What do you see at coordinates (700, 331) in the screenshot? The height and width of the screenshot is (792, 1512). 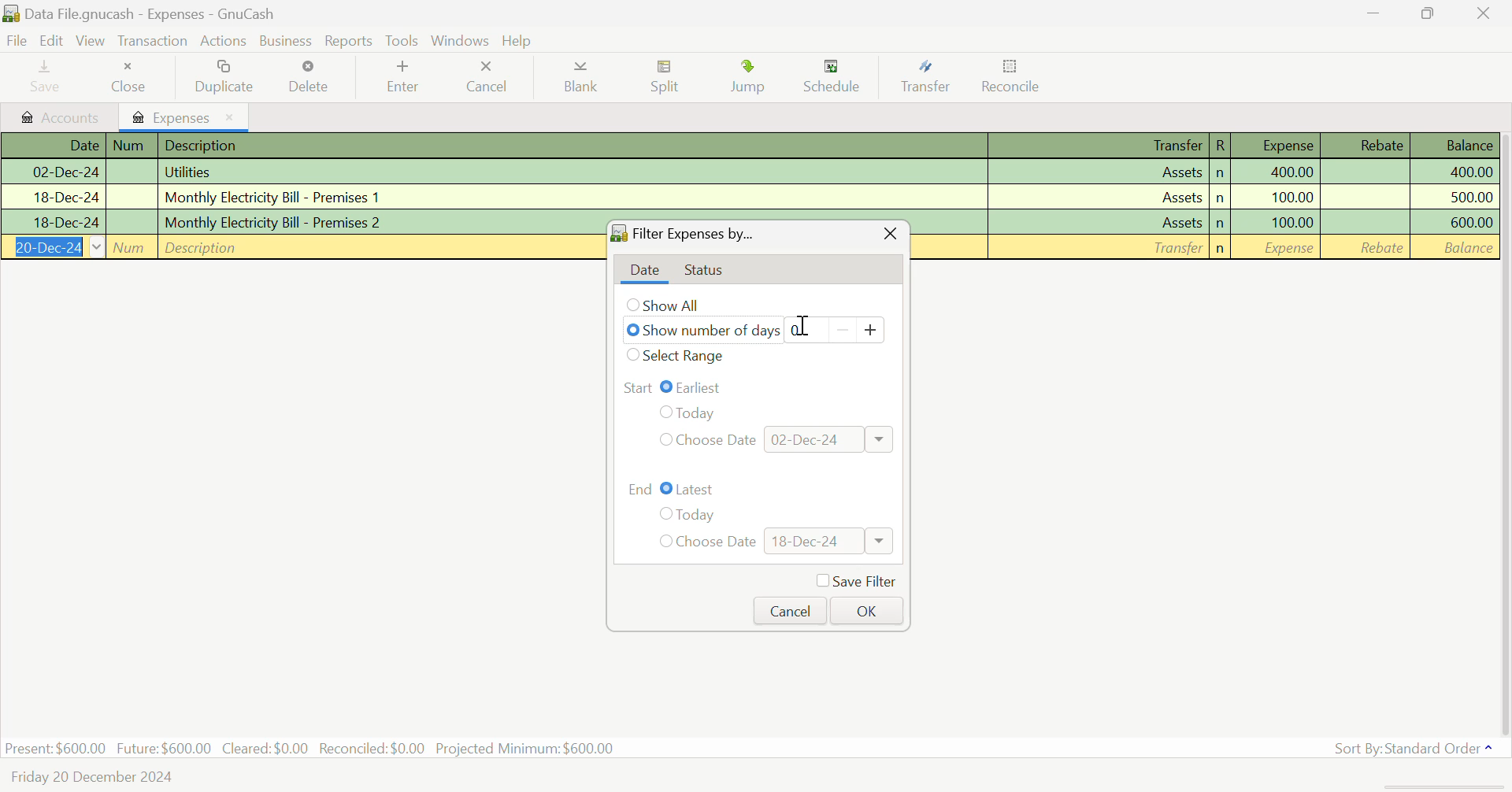 I see `Show number of days selected` at bounding box center [700, 331].